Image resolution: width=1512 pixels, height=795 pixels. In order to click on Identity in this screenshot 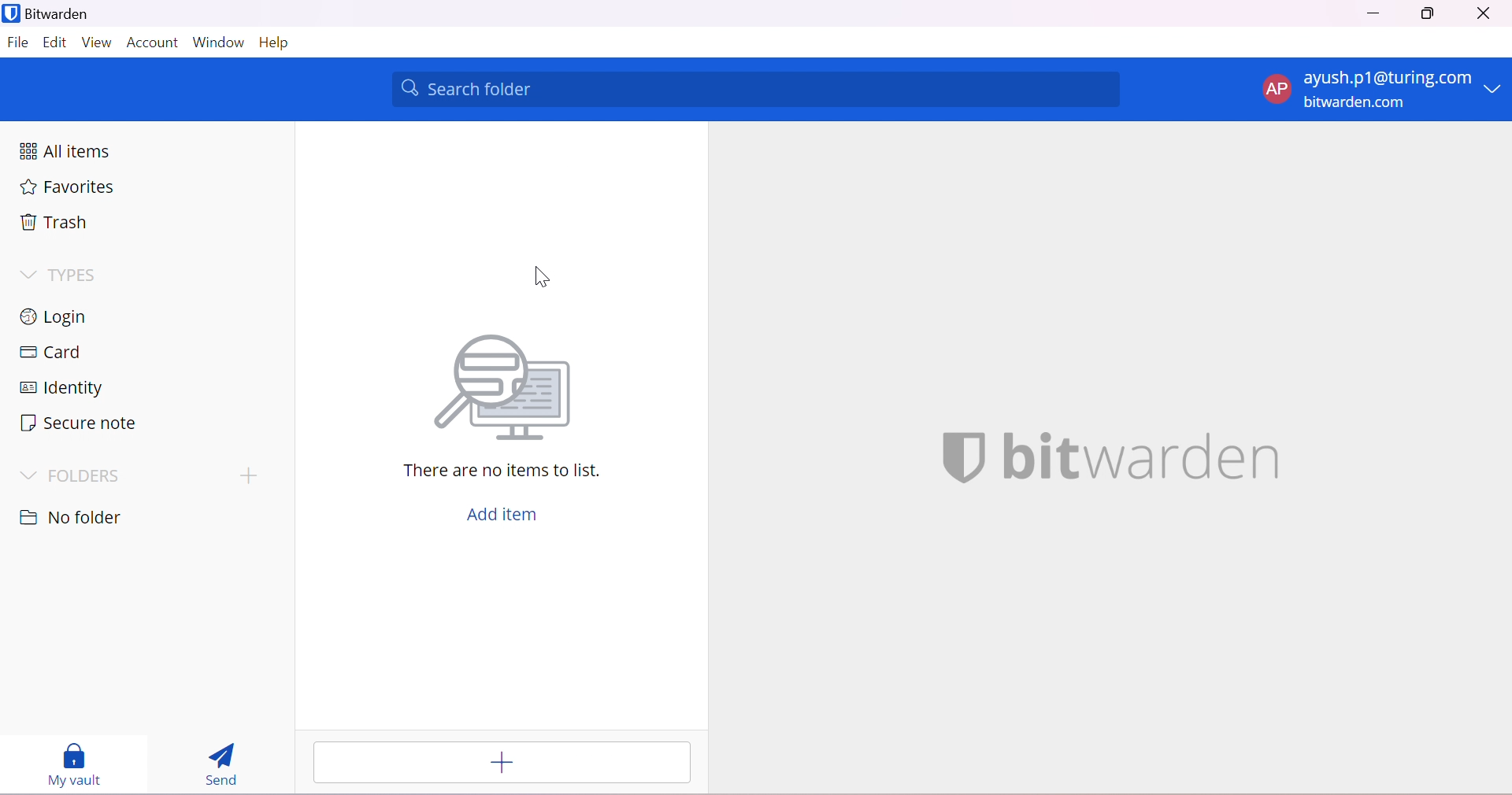, I will do `click(61, 388)`.